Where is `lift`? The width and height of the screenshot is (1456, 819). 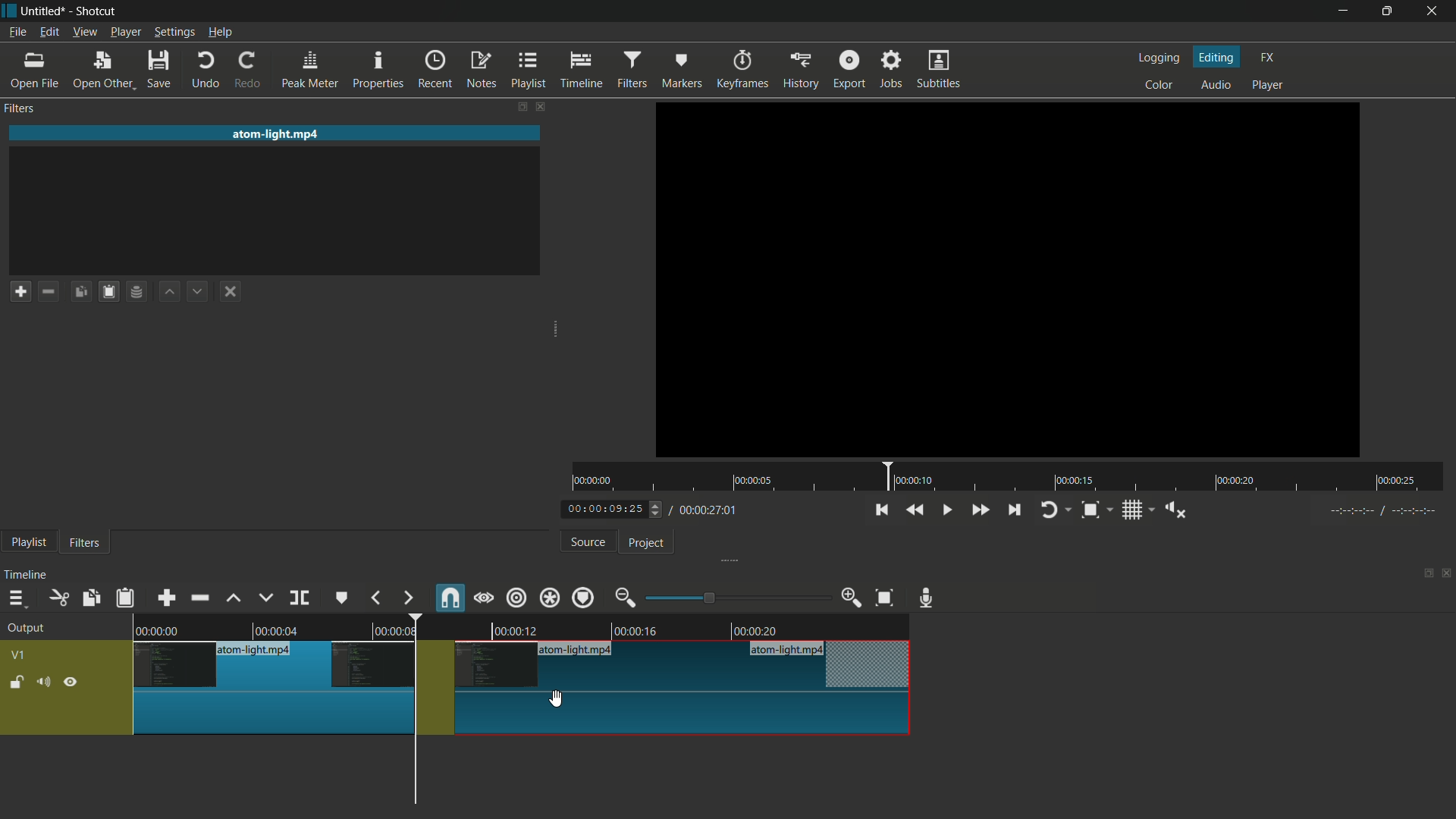
lift is located at coordinates (234, 598).